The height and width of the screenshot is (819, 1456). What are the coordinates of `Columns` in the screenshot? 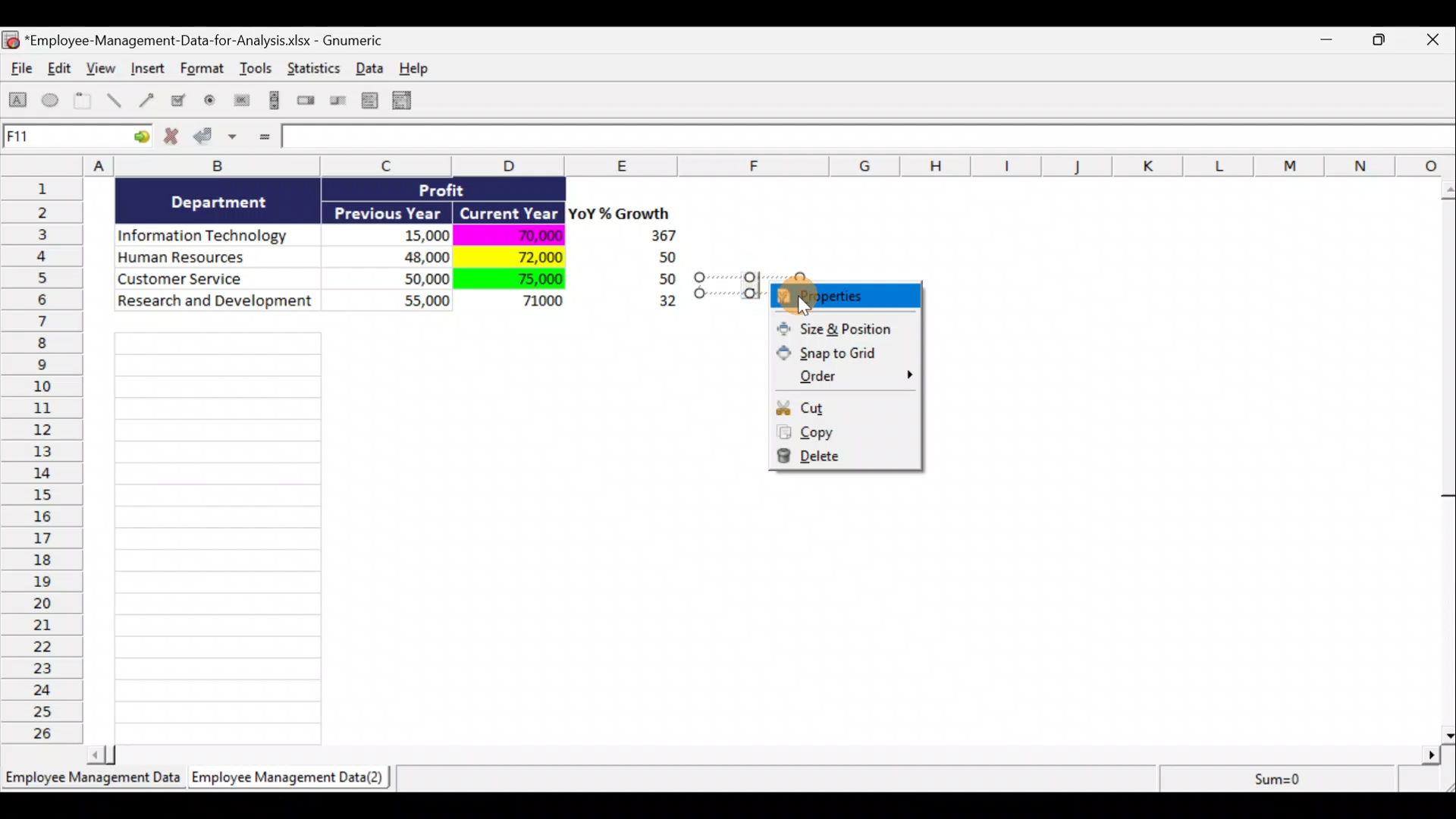 It's located at (733, 165).